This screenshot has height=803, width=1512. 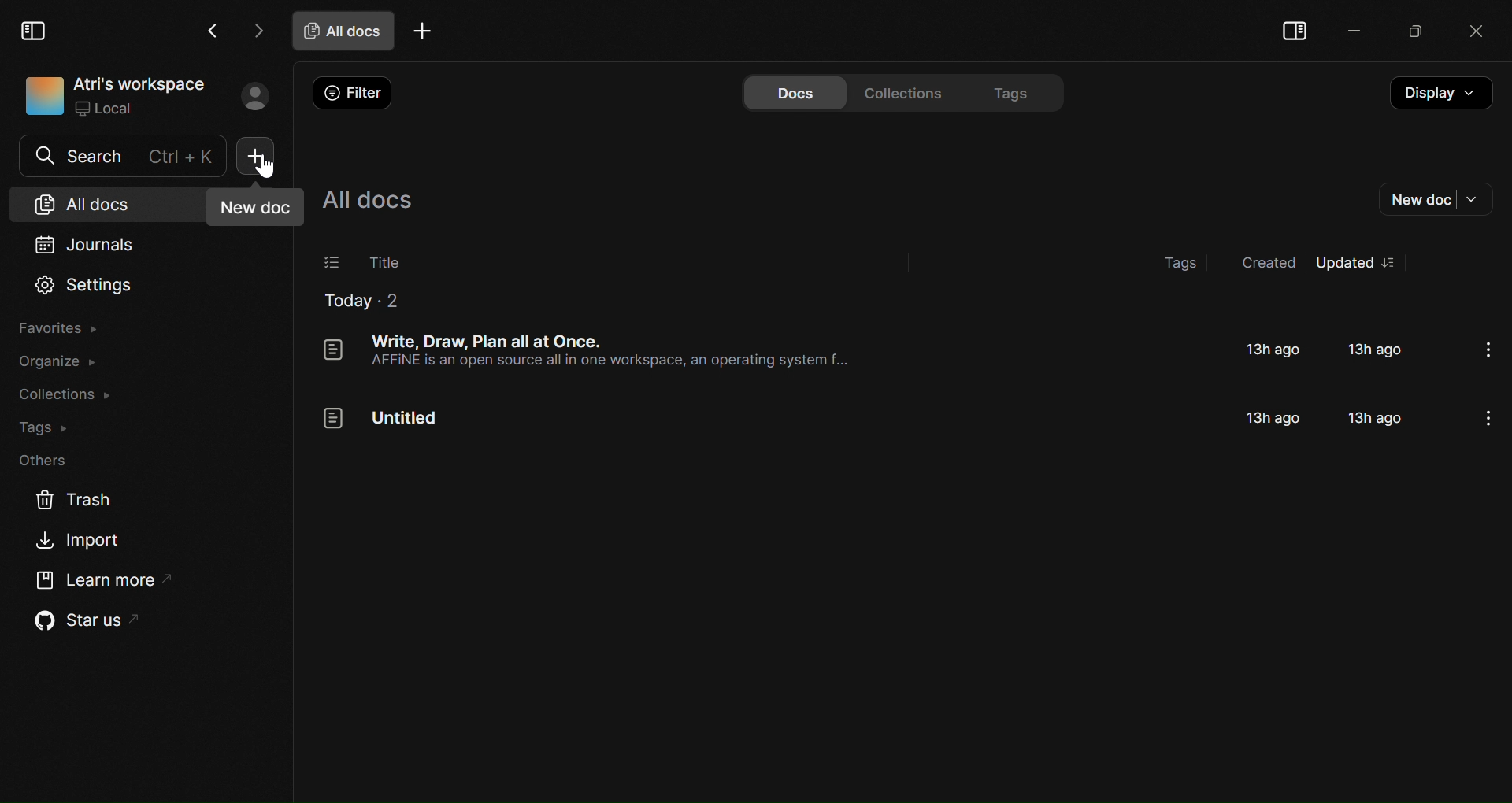 What do you see at coordinates (333, 350) in the screenshot?
I see `icon` at bounding box center [333, 350].